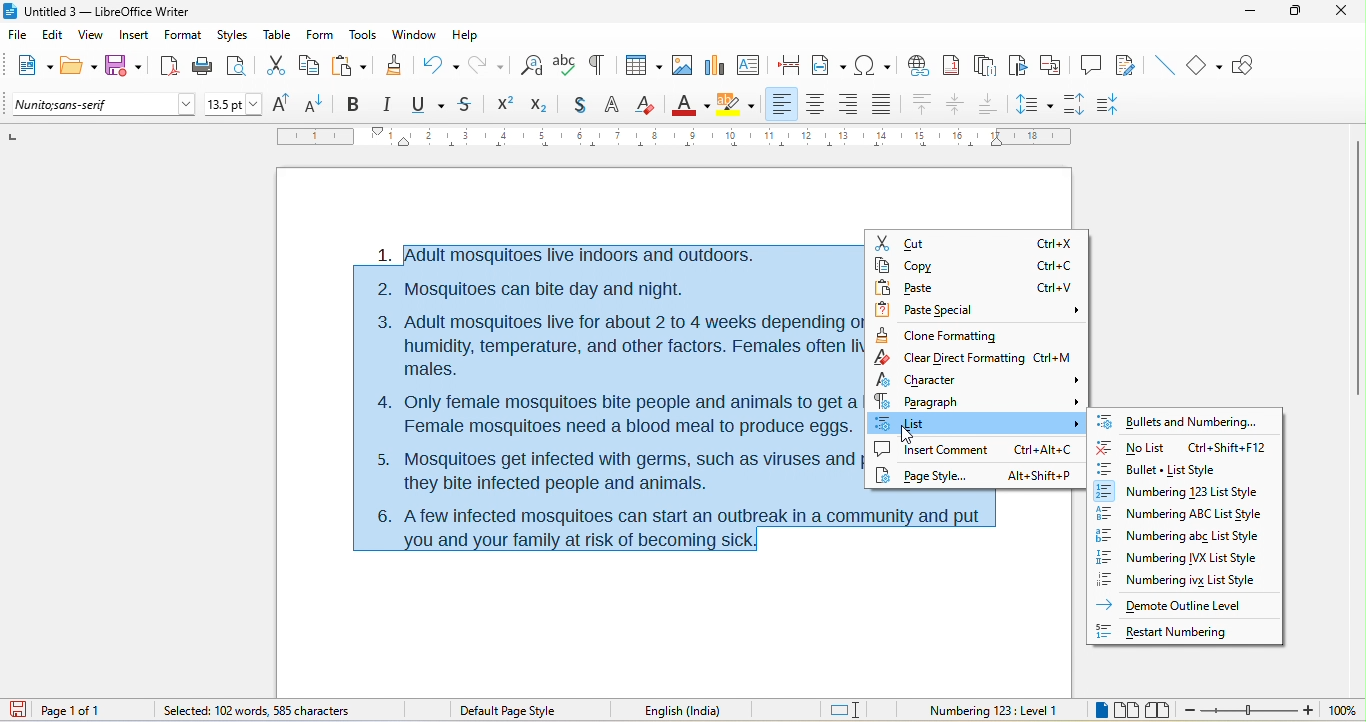 This screenshot has width=1366, height=722. I want to click on Superscript, so click(502, 106).